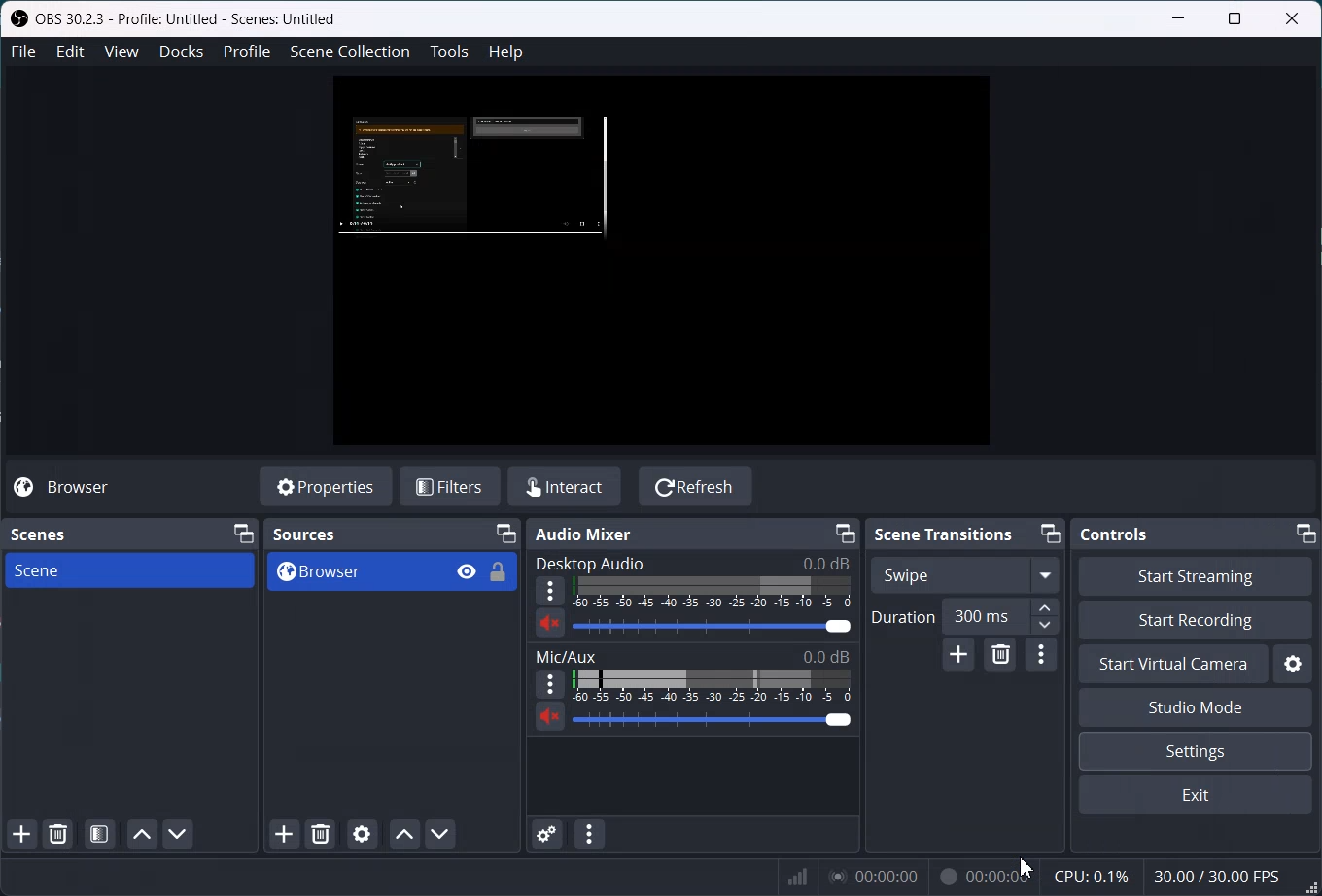 This screenshot has width=1322, height=896. What do you see at coordinates (1196, 575) in the screenshot?
I see `Start Streaming` at bounding box center [1196, 575].